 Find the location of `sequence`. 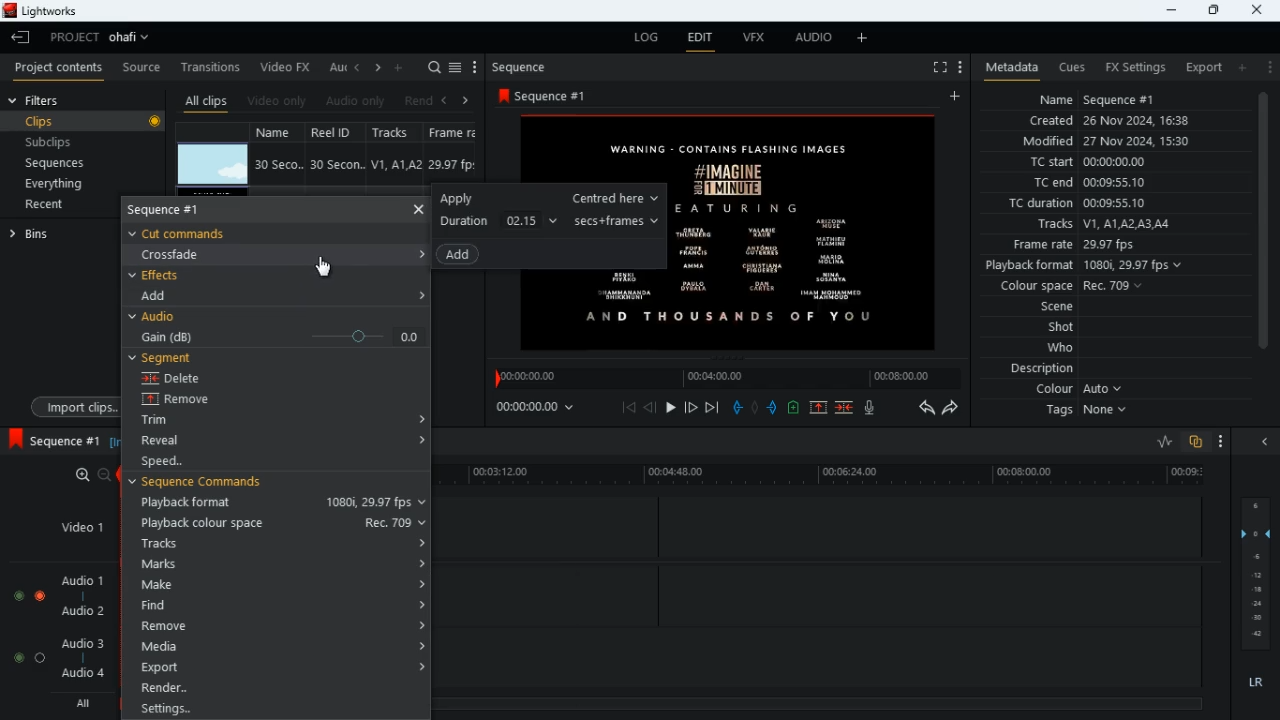

sequence is located at coordinates (525, 67).